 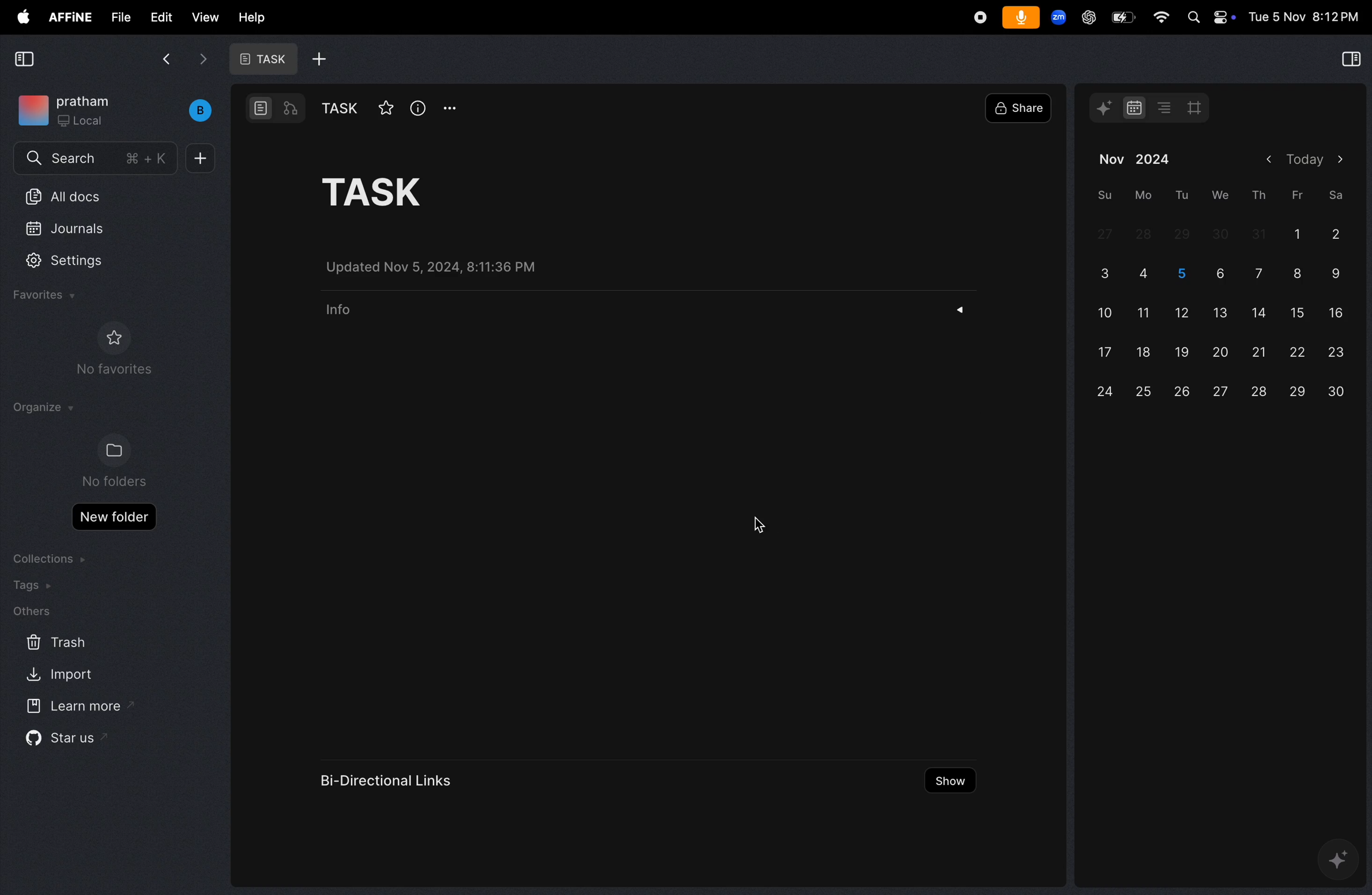 What do you see at coordinates (977, 17) in the screenshot?
I see `record` at bounding box center [977, 17].